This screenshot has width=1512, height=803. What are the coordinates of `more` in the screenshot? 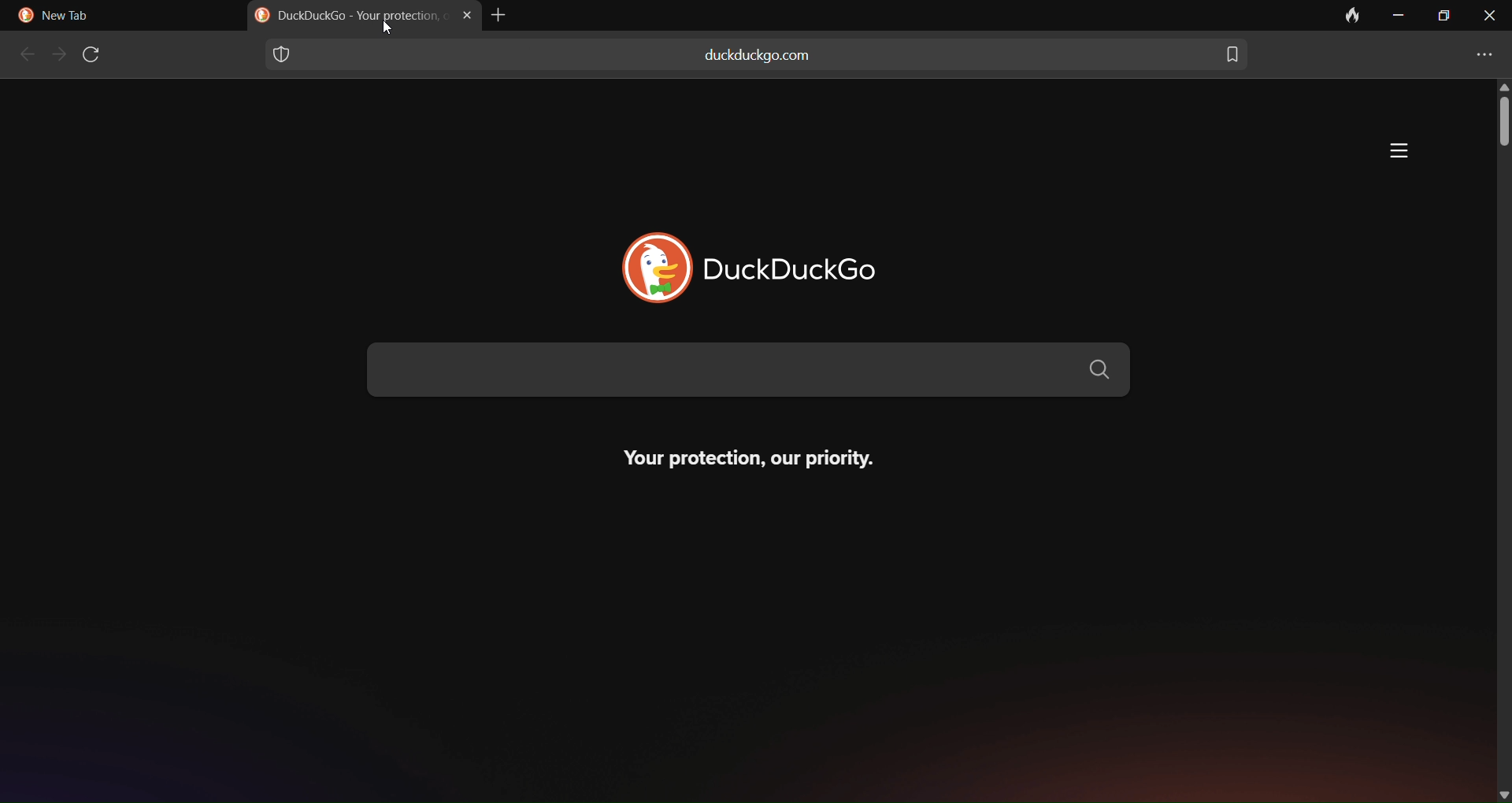 It's located at (1484, 50).